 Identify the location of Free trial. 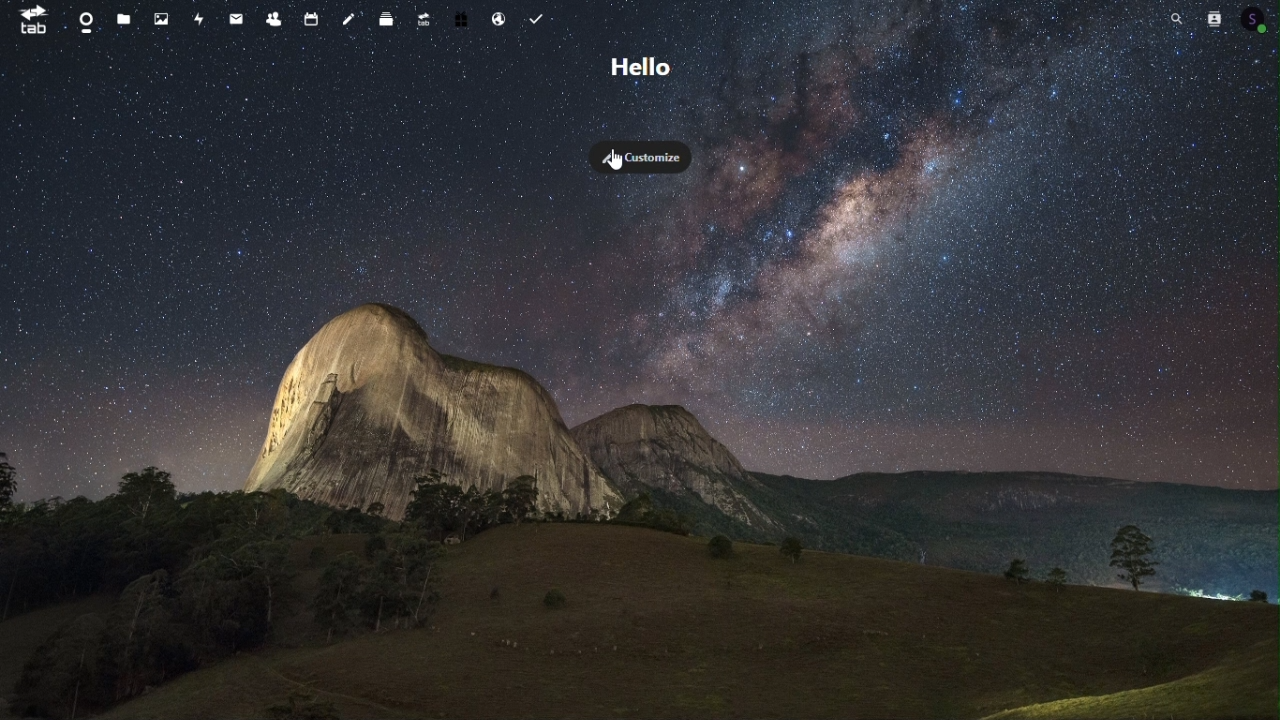
(460, 17).